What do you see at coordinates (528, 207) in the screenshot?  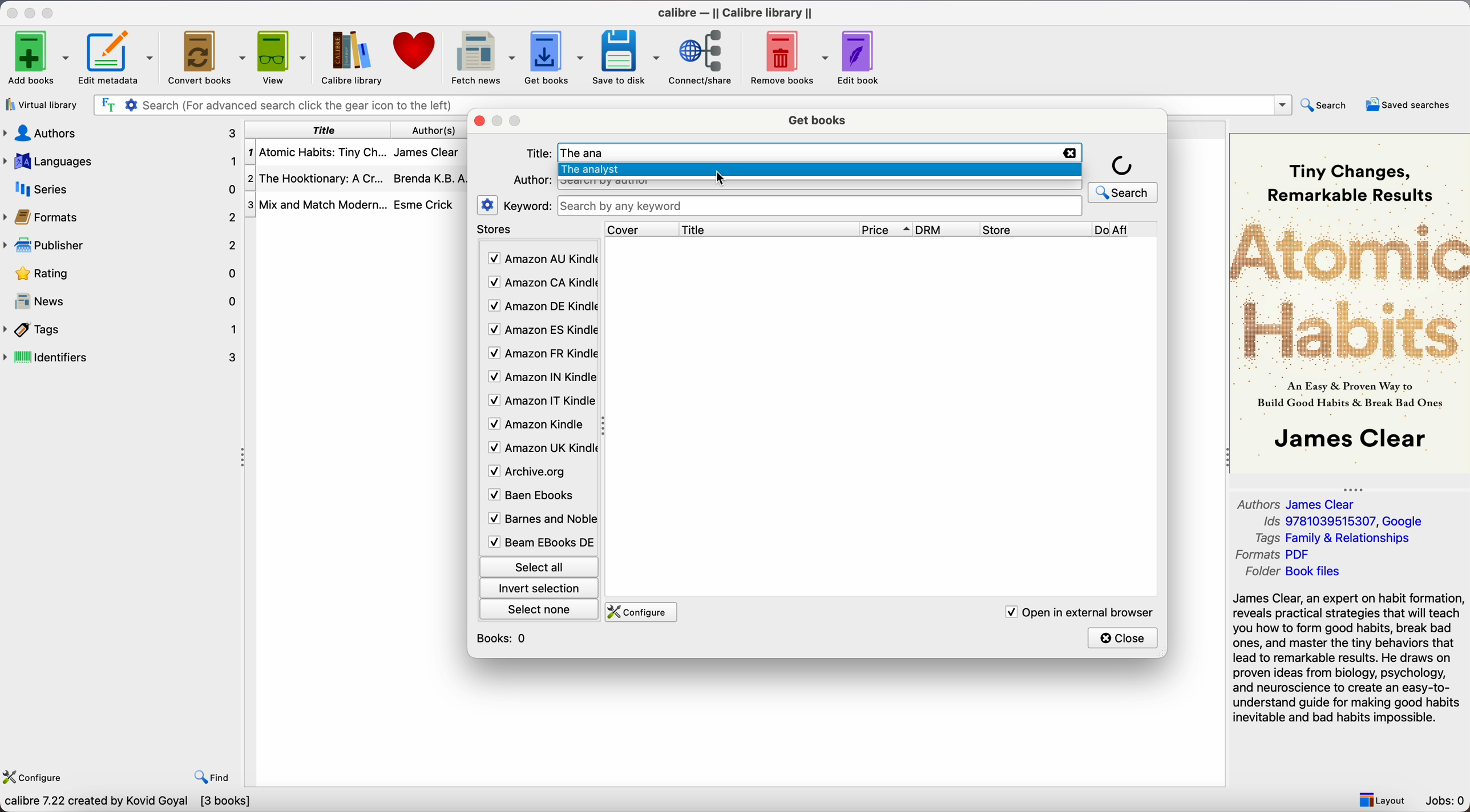 I see `keyword` at bounding box center [528, 207].